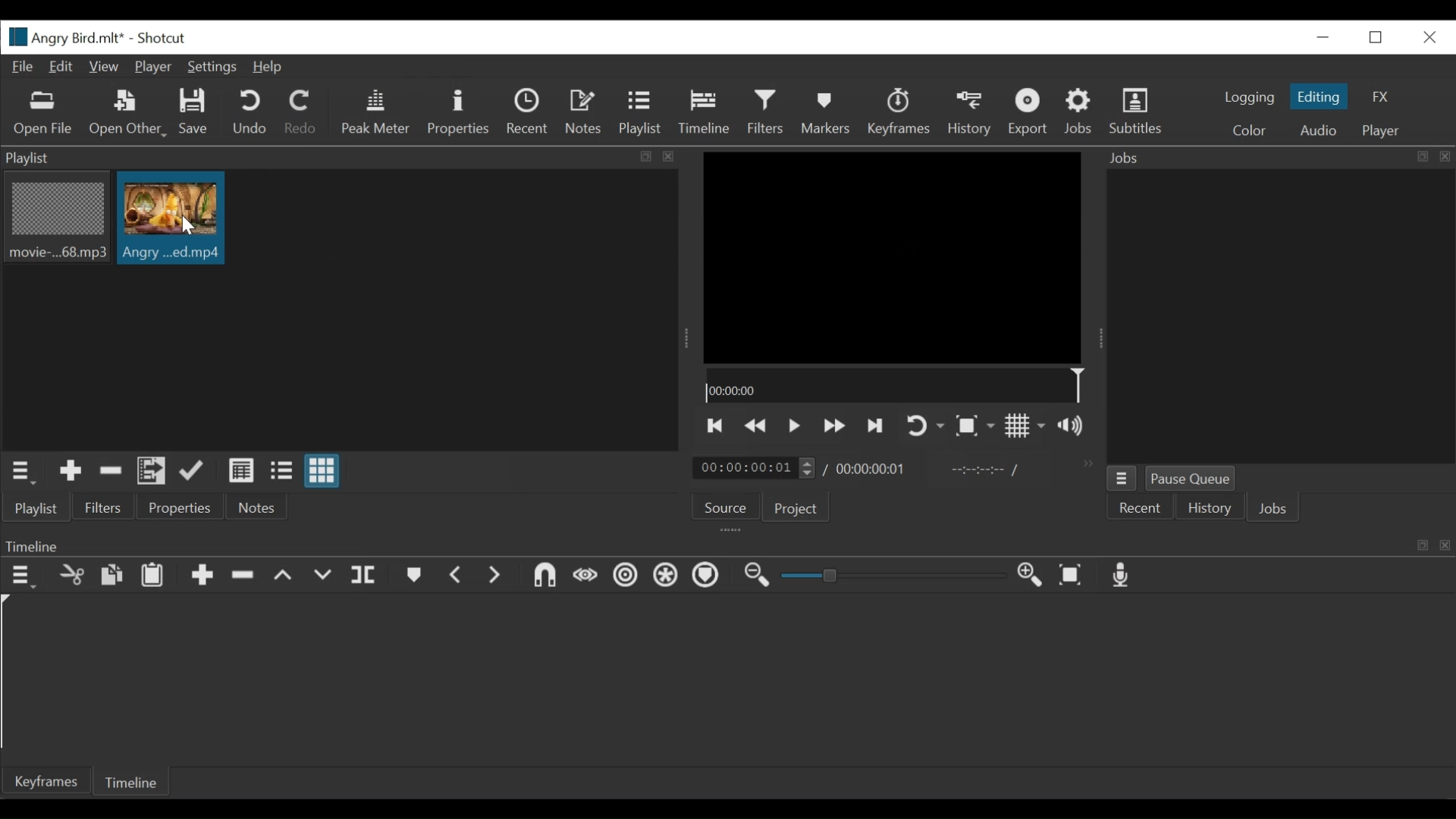  I want to click on Player, so click(152, 67).